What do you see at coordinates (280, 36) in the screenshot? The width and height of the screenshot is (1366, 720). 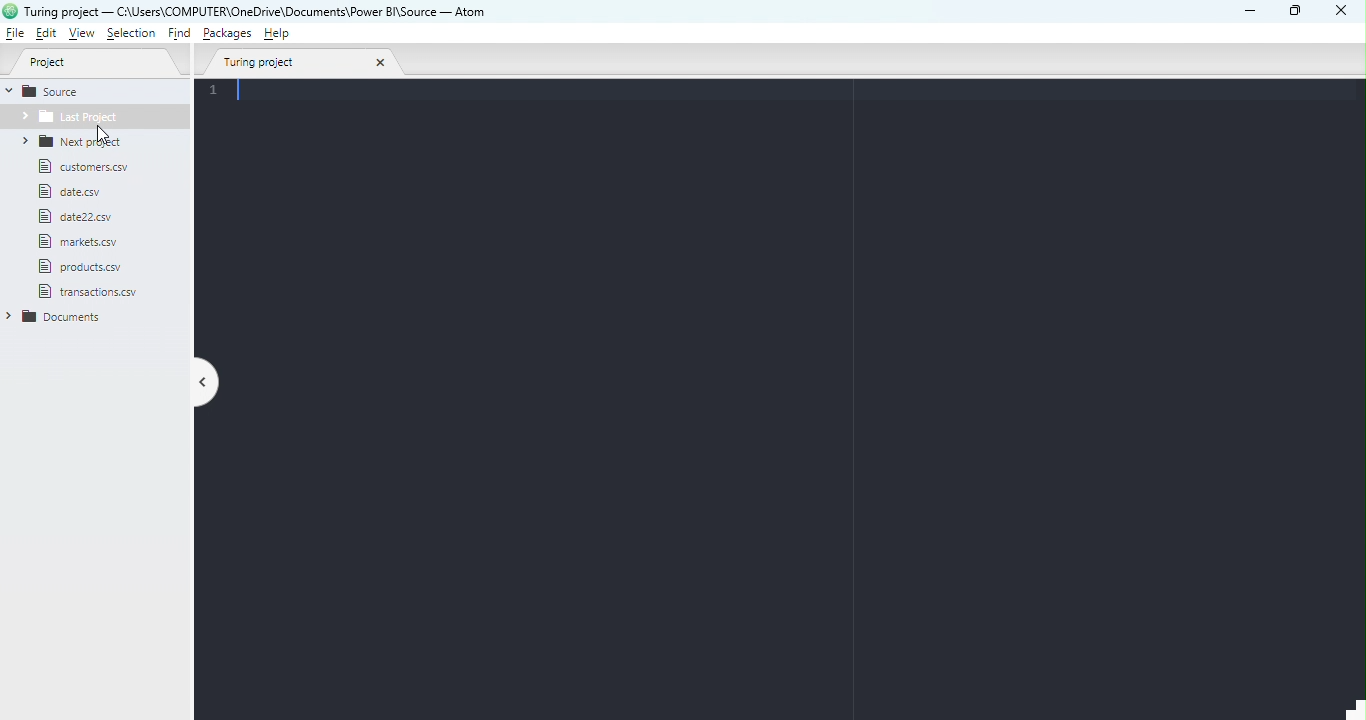 I see `Help` at bounding box center [280, 36].